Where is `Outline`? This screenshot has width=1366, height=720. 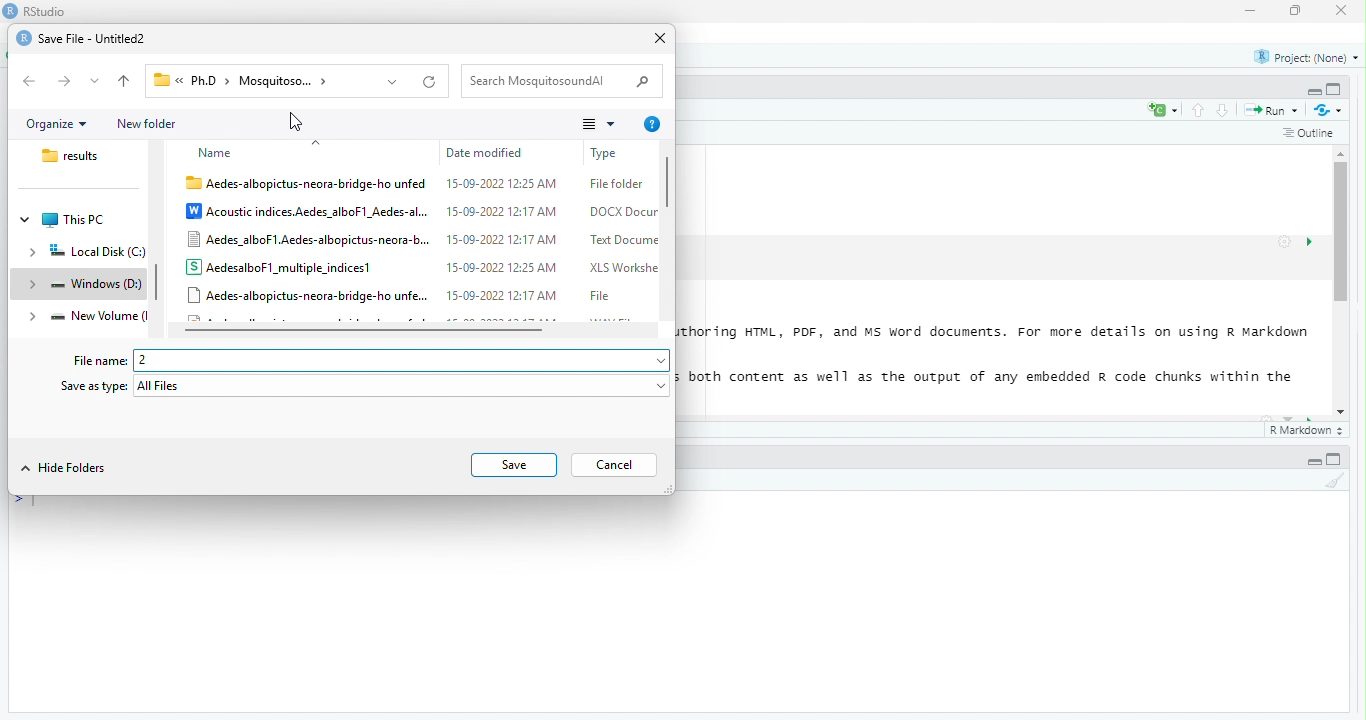 Outline is located at coordinates (1310, 134).